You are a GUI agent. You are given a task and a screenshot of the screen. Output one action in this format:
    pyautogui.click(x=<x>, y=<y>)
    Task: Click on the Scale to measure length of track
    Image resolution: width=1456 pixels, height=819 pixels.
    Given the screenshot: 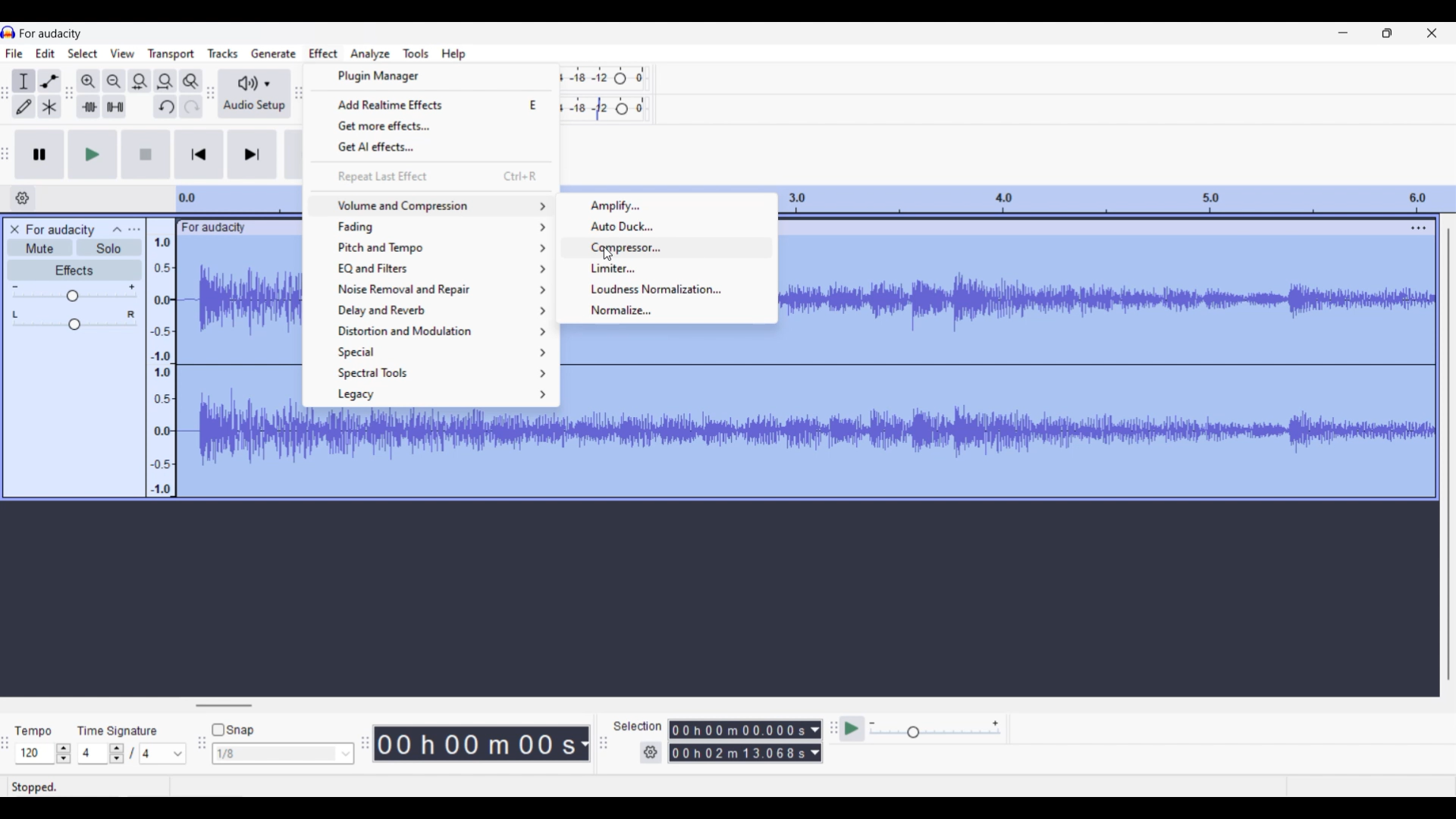 What is the action you would take?
    pyautogui.click(x=1119, y=199)
    